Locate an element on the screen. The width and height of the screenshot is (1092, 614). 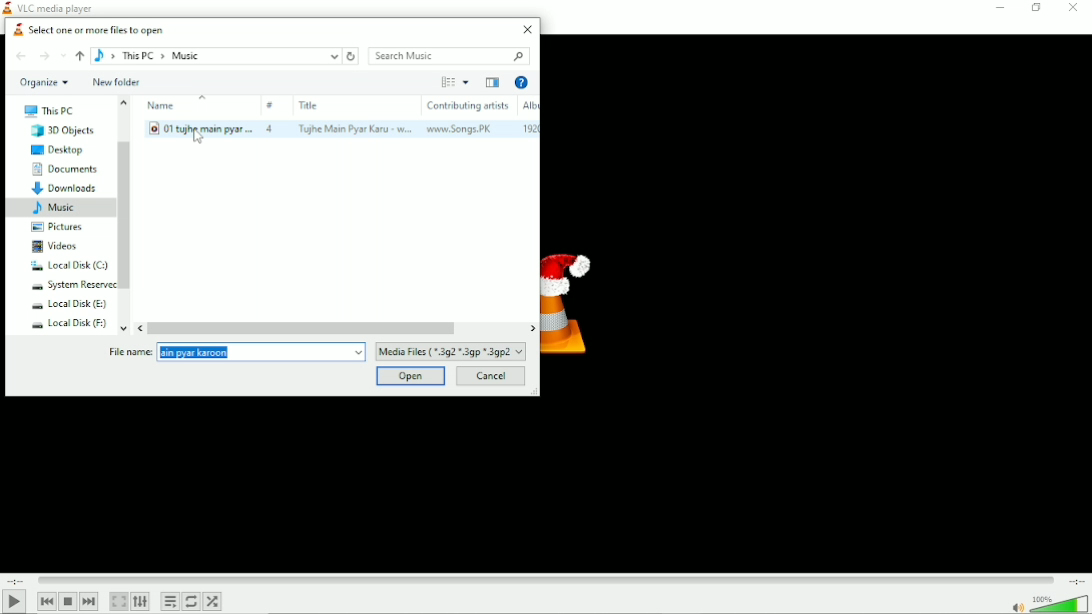
Refresh is located at coordinates (352, 56).